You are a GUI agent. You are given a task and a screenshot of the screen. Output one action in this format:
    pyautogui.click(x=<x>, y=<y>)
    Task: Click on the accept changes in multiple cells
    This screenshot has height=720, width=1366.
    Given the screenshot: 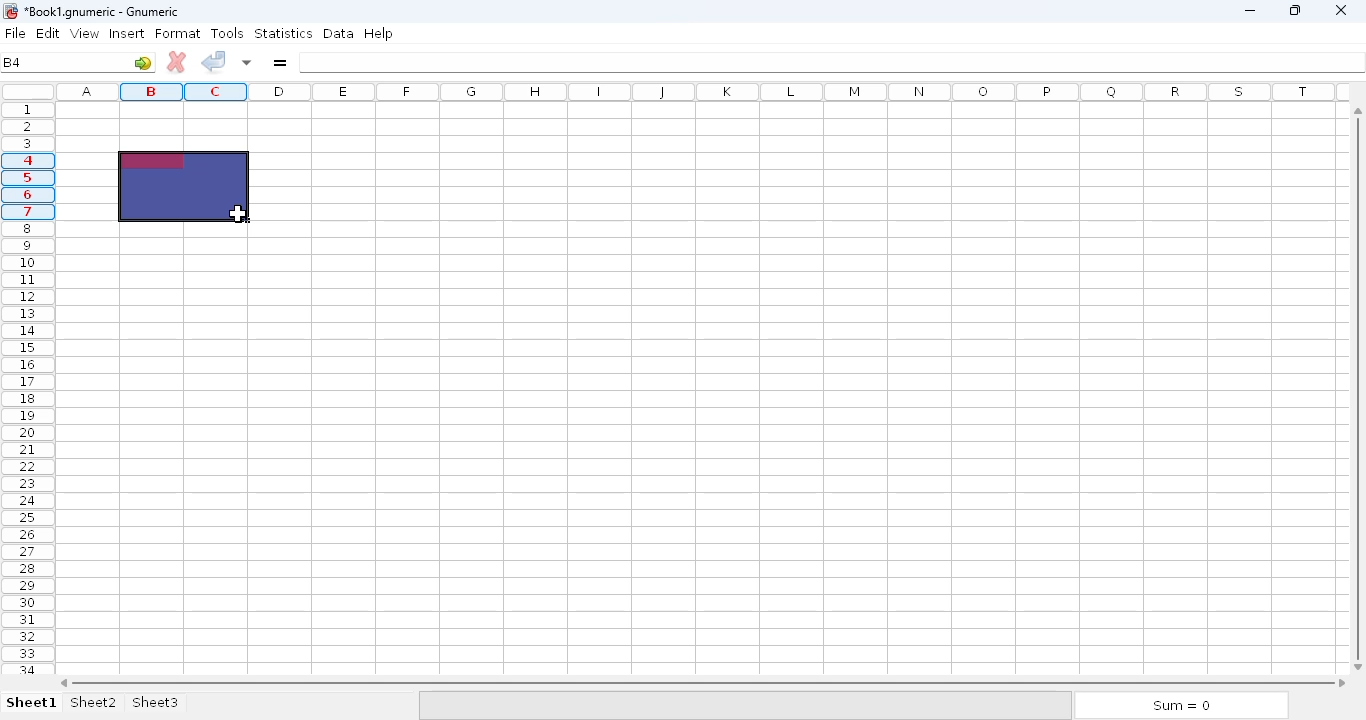 What is the action you would take?
    pyautogui.click(x=247, y=62)
    